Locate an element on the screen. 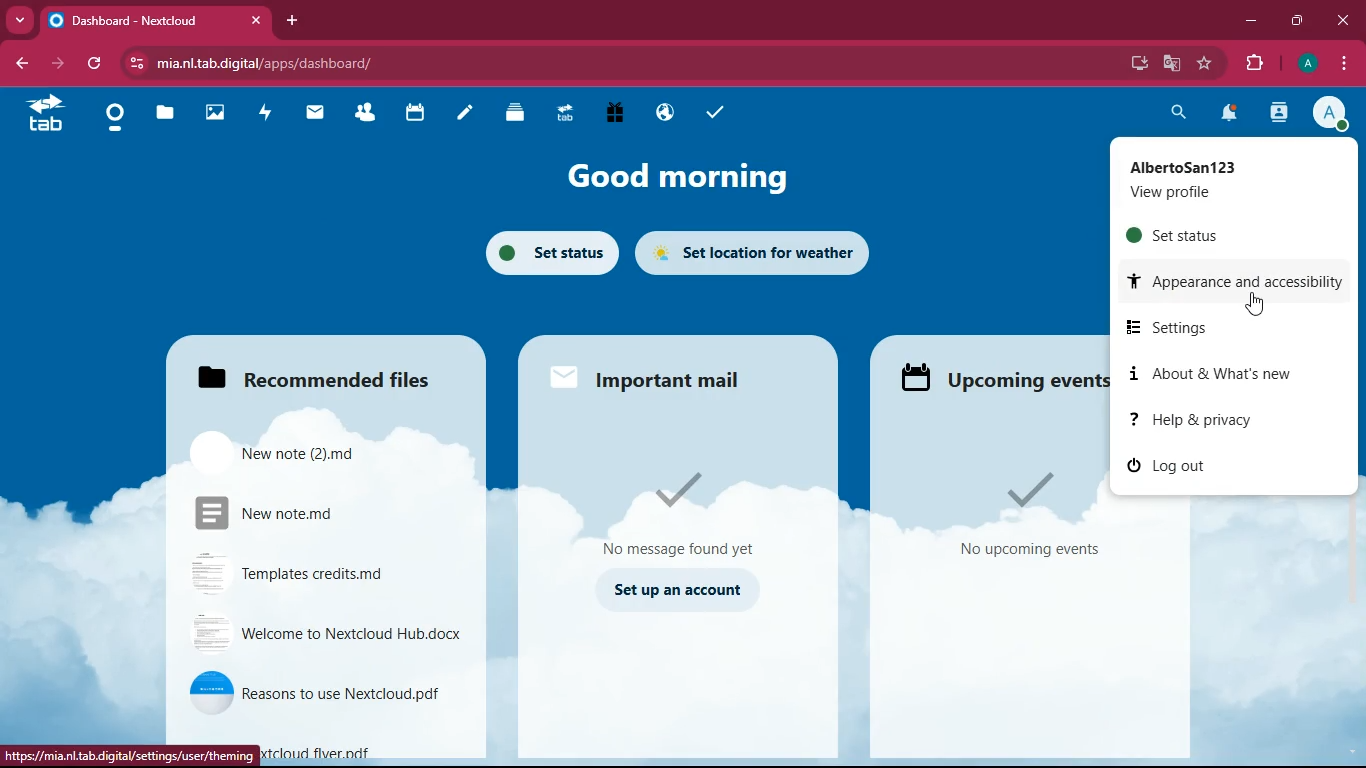  file is located at coordinates (289, 453).